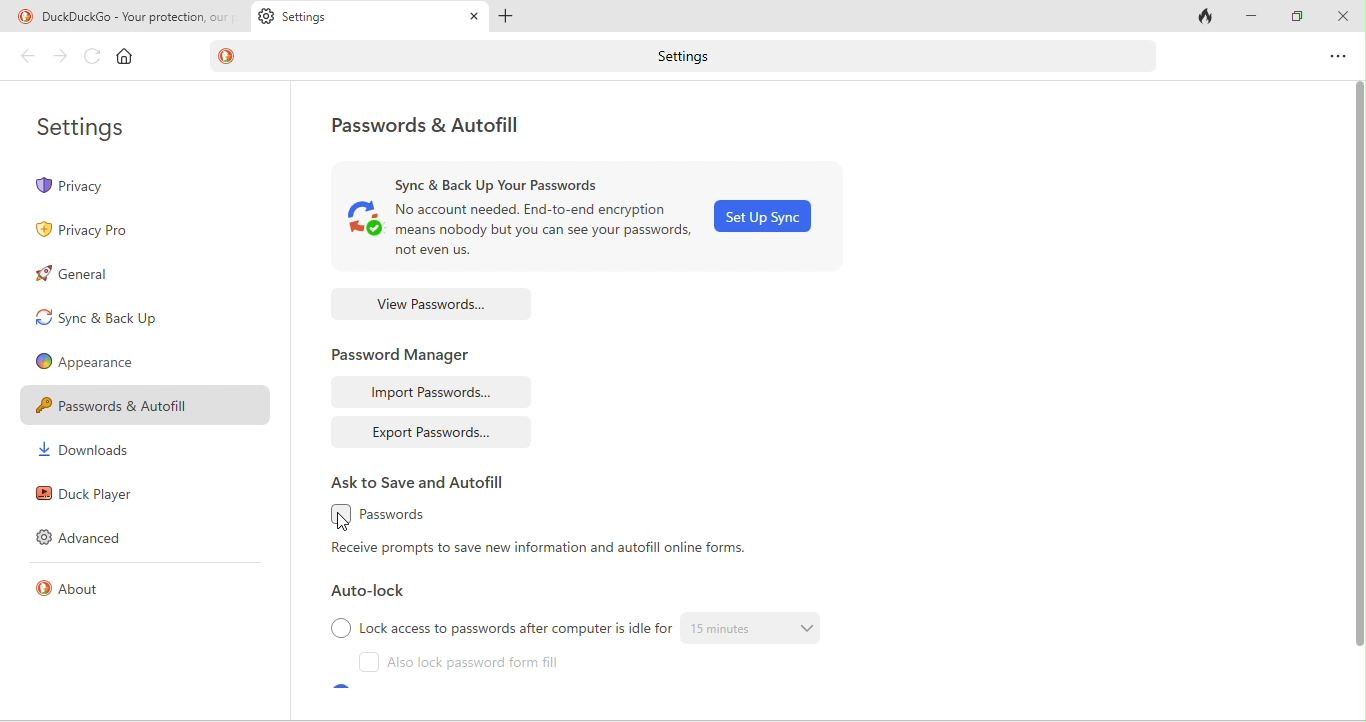 Image resolution: width=1366 pixels, height=722 pixels. I want to click on passwords, so click(396, 518).